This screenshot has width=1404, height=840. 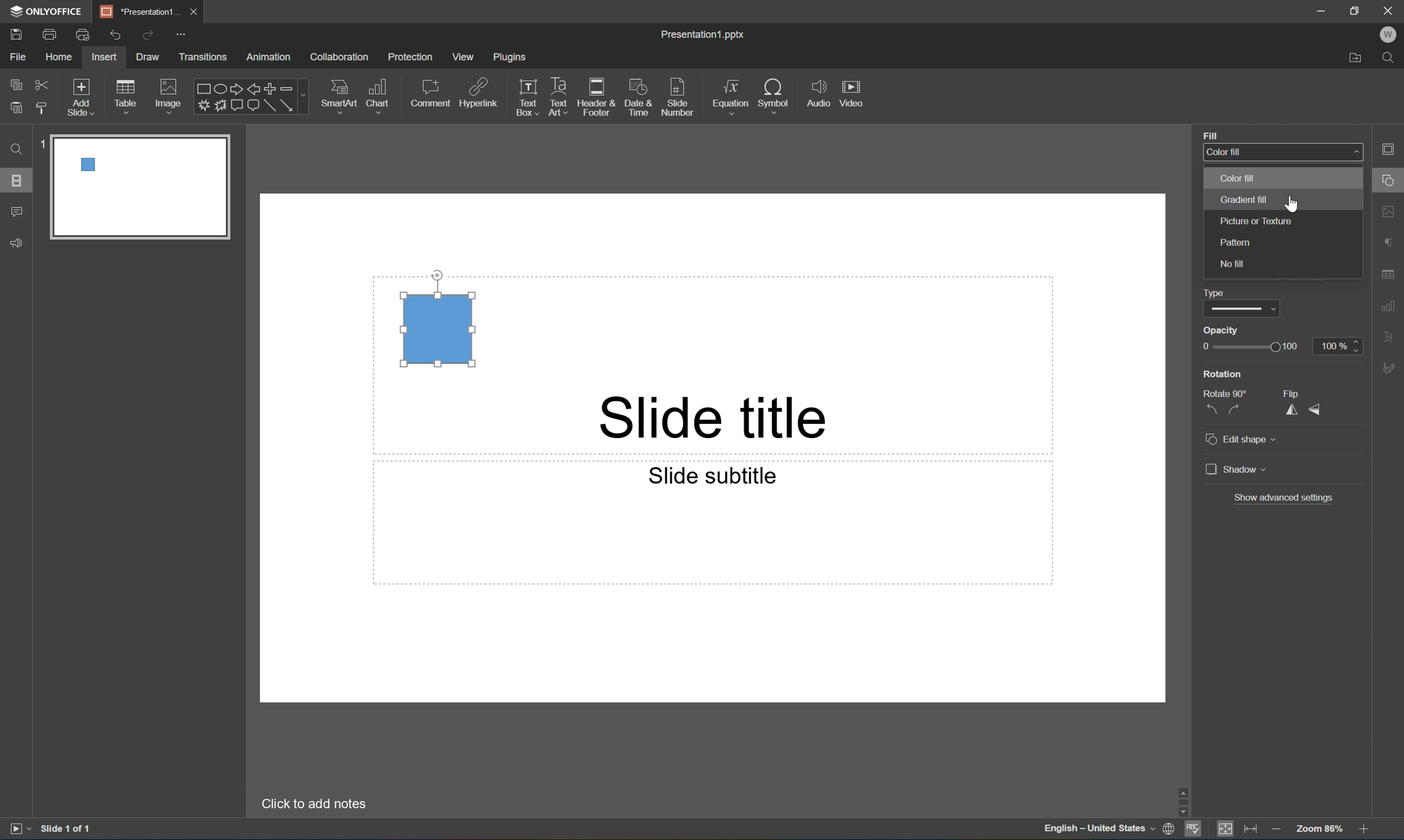 I want to click on Paste, so click(x=16, y=108).